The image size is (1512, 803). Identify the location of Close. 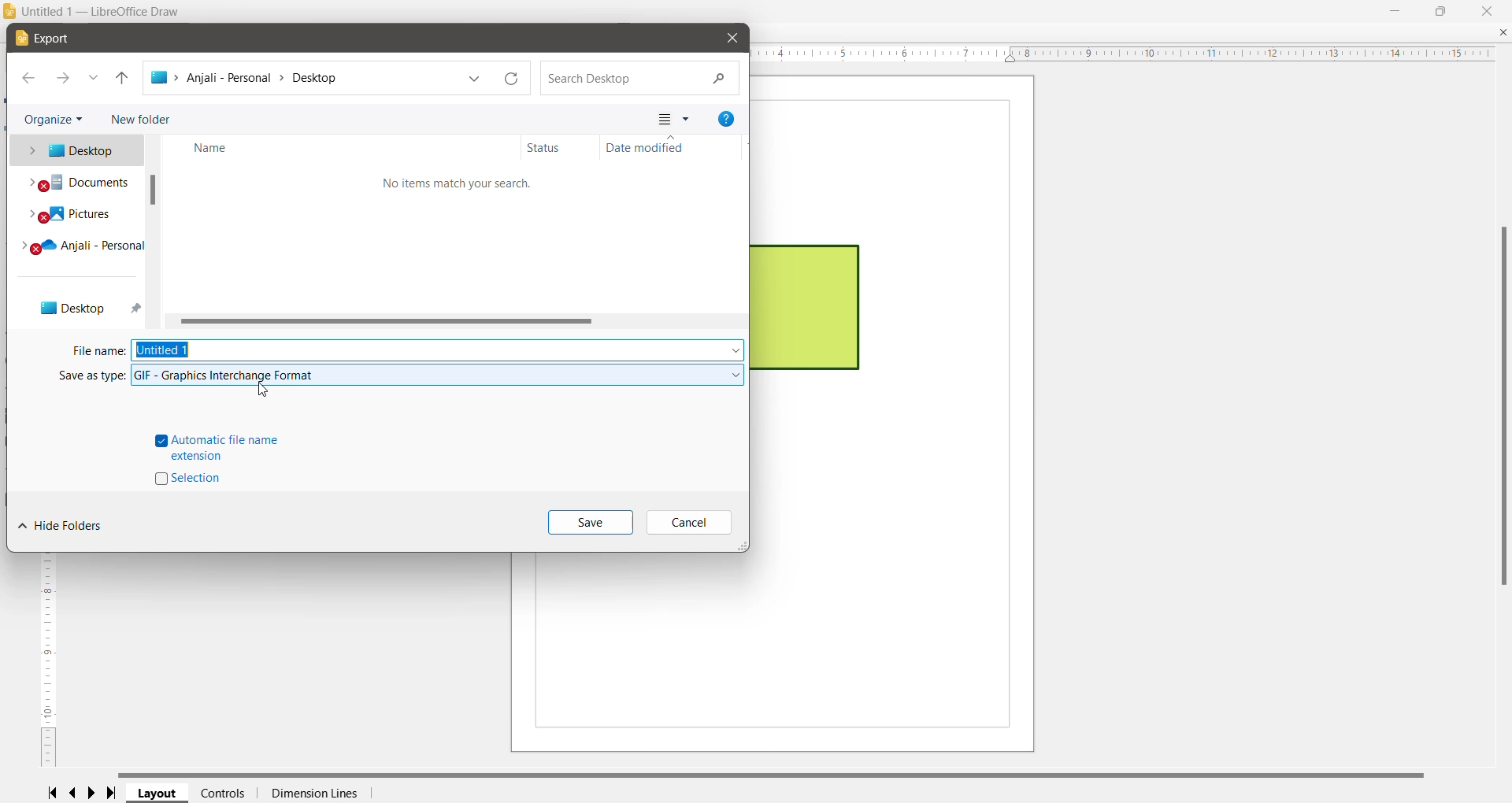
(1489, 10).